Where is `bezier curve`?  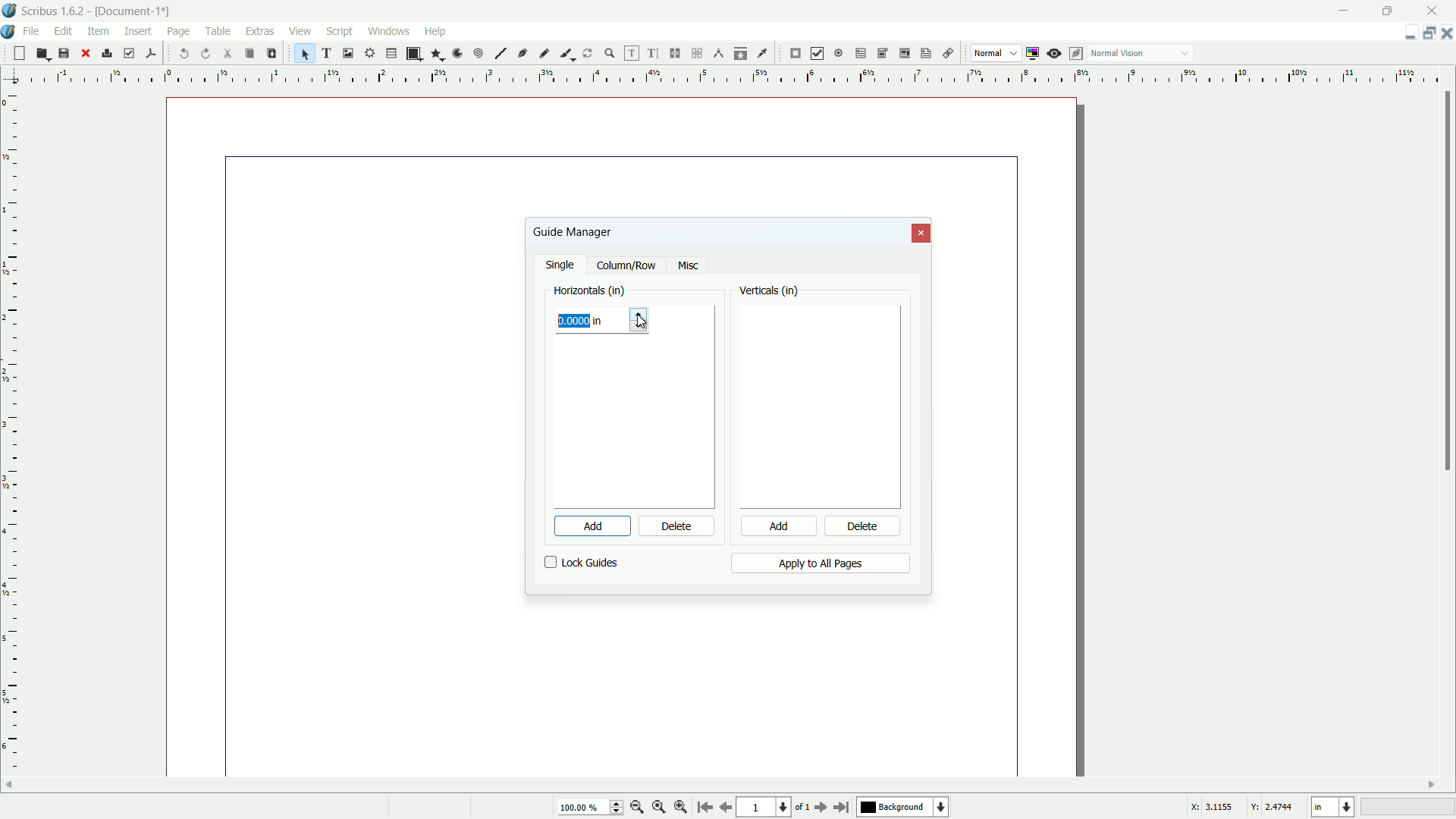
bezier curve is located at coordinates (523, 55).